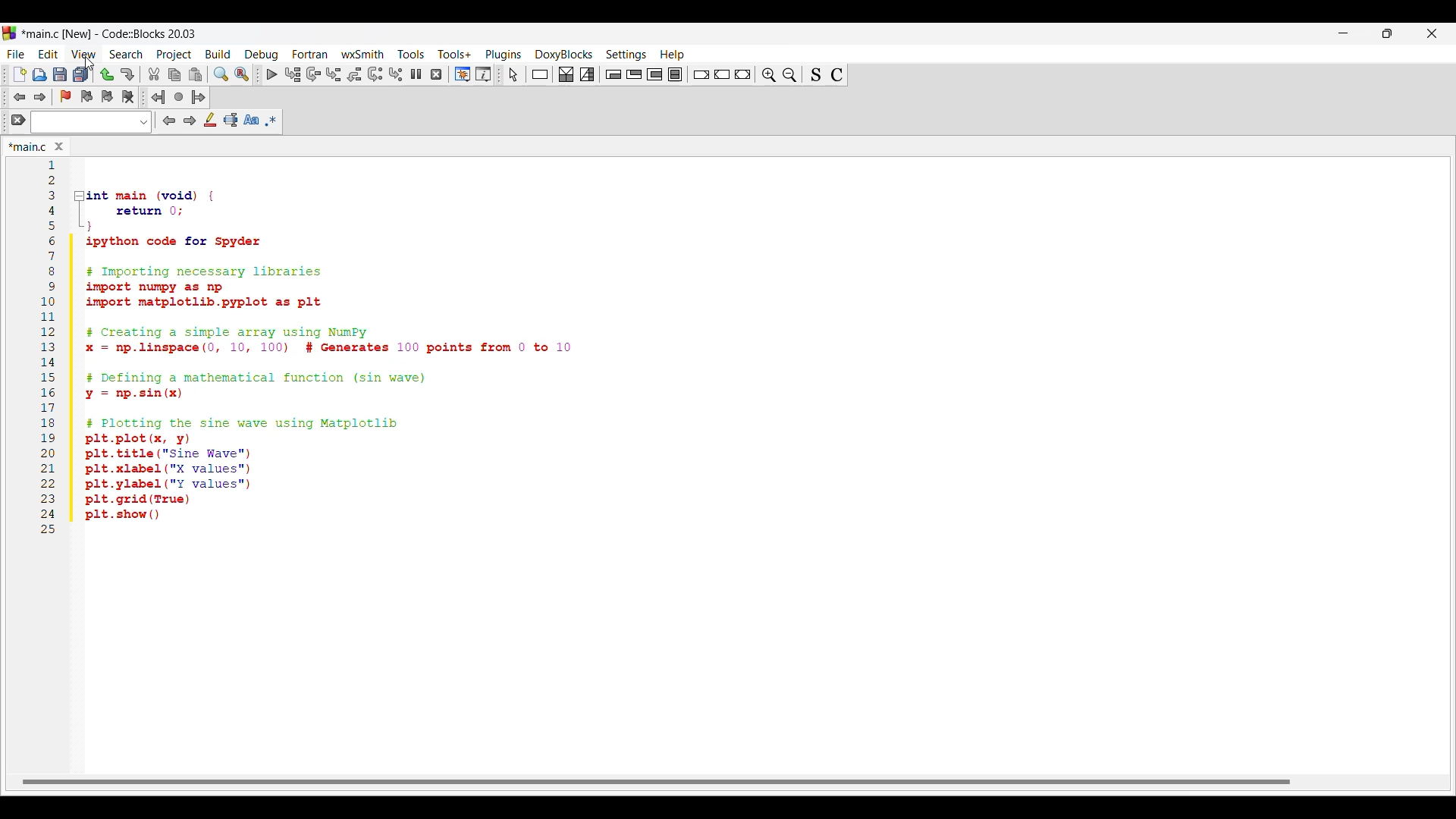 Image resolution: width=1456 pixels, height=819 pixels. What do you see at coordinates (654, 74) in the screenshot?
I see `Counting loop` at bounding box center [654, 74].